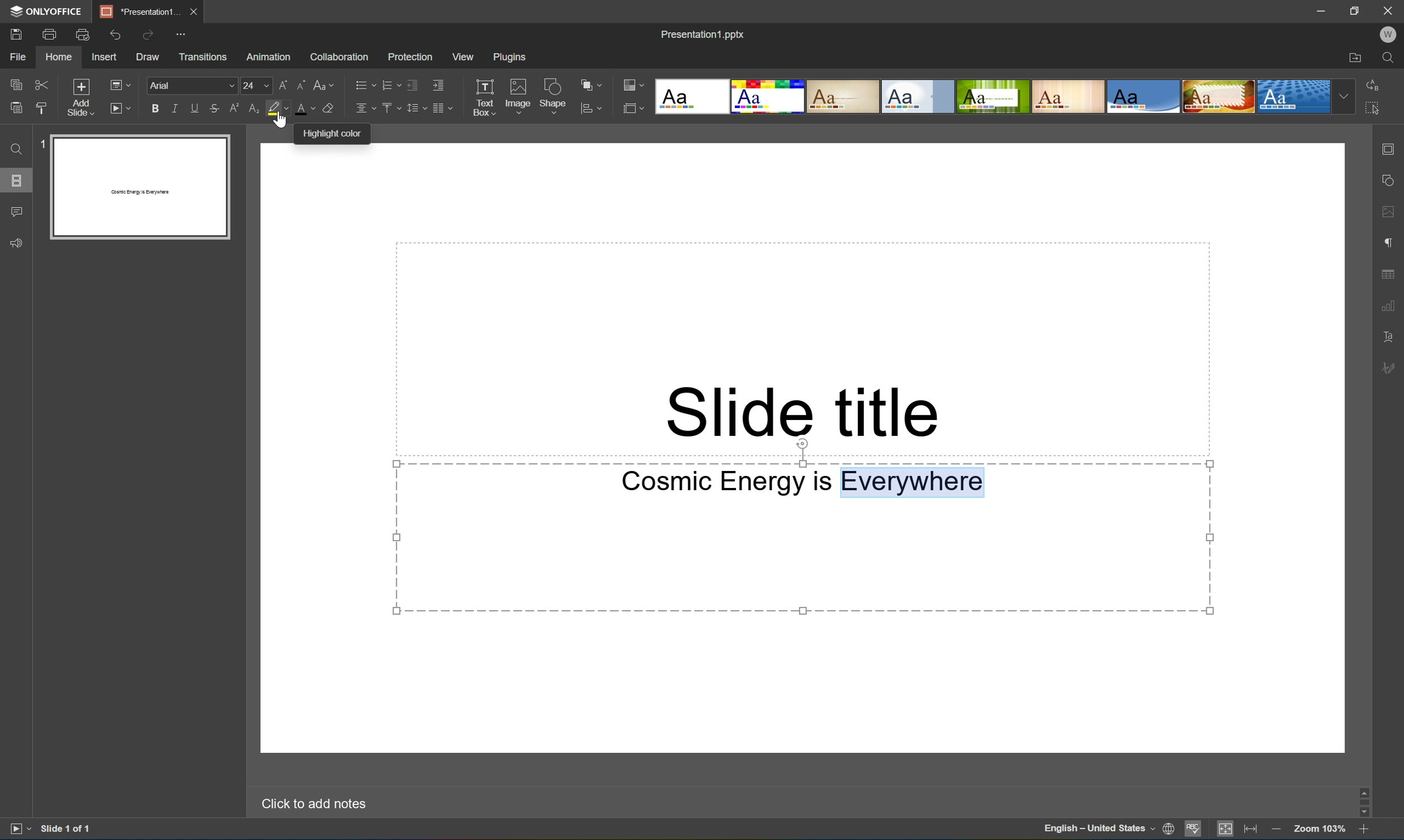 The width and height of the screenshot is (1404, 840). Describe the element at coordinates (57, 57) in the screenshot. I see `Home` at that location.